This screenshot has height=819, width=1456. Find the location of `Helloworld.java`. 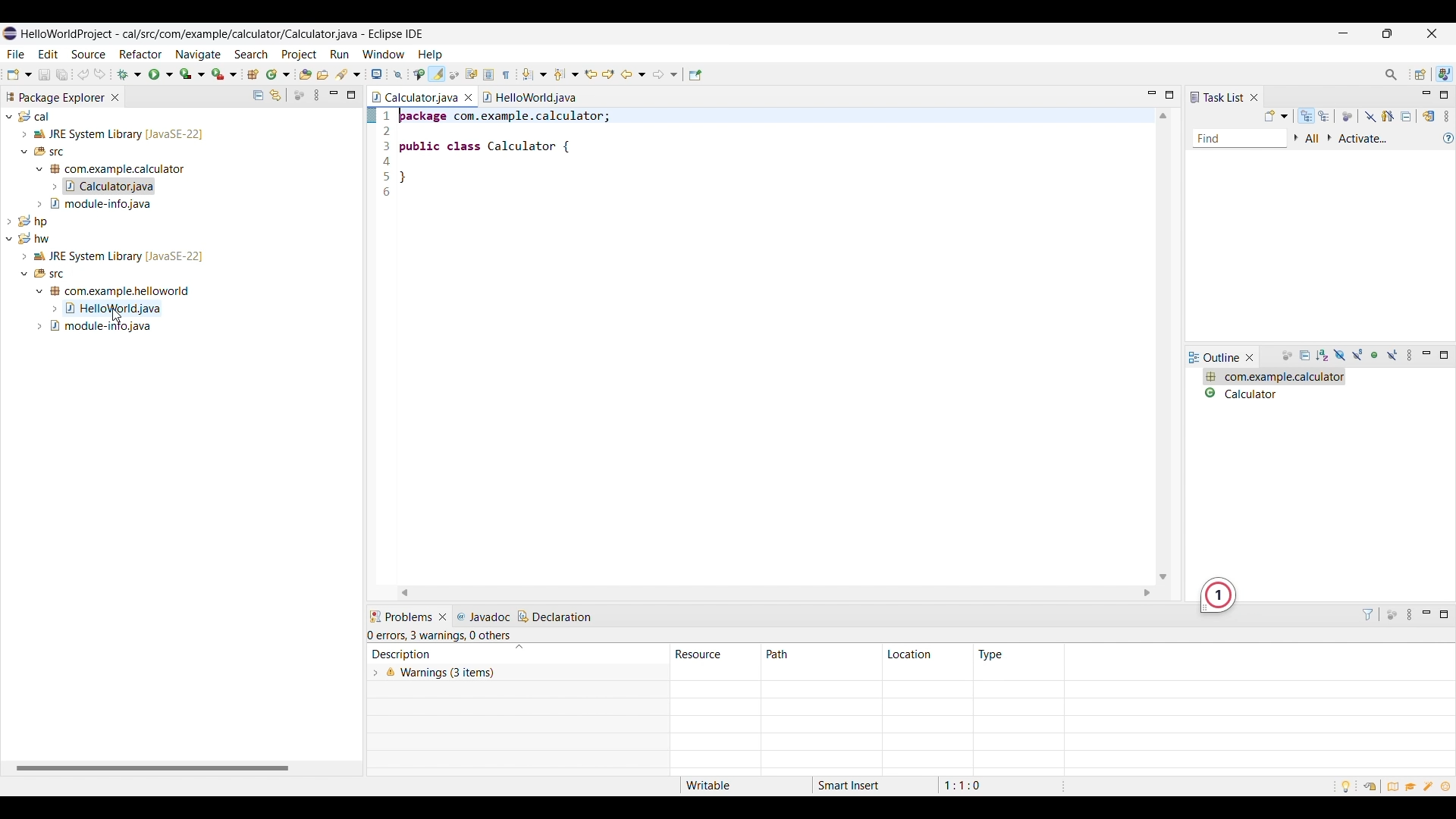

Helloworld.java is located at coordinates (529, 97).